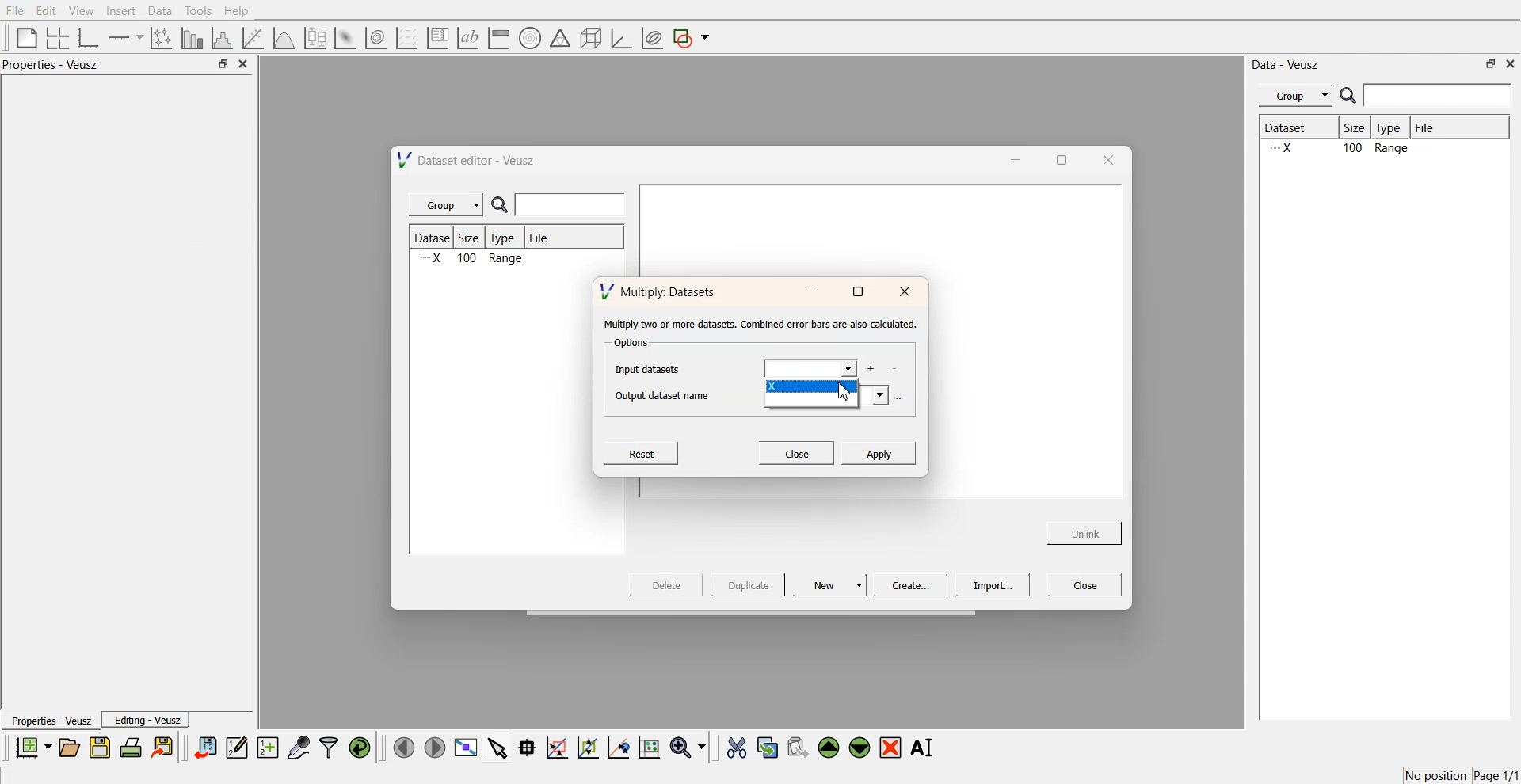 This screenshot has height=784, width=1521. I want to click on Properties - Veusz, so click(51, 721).